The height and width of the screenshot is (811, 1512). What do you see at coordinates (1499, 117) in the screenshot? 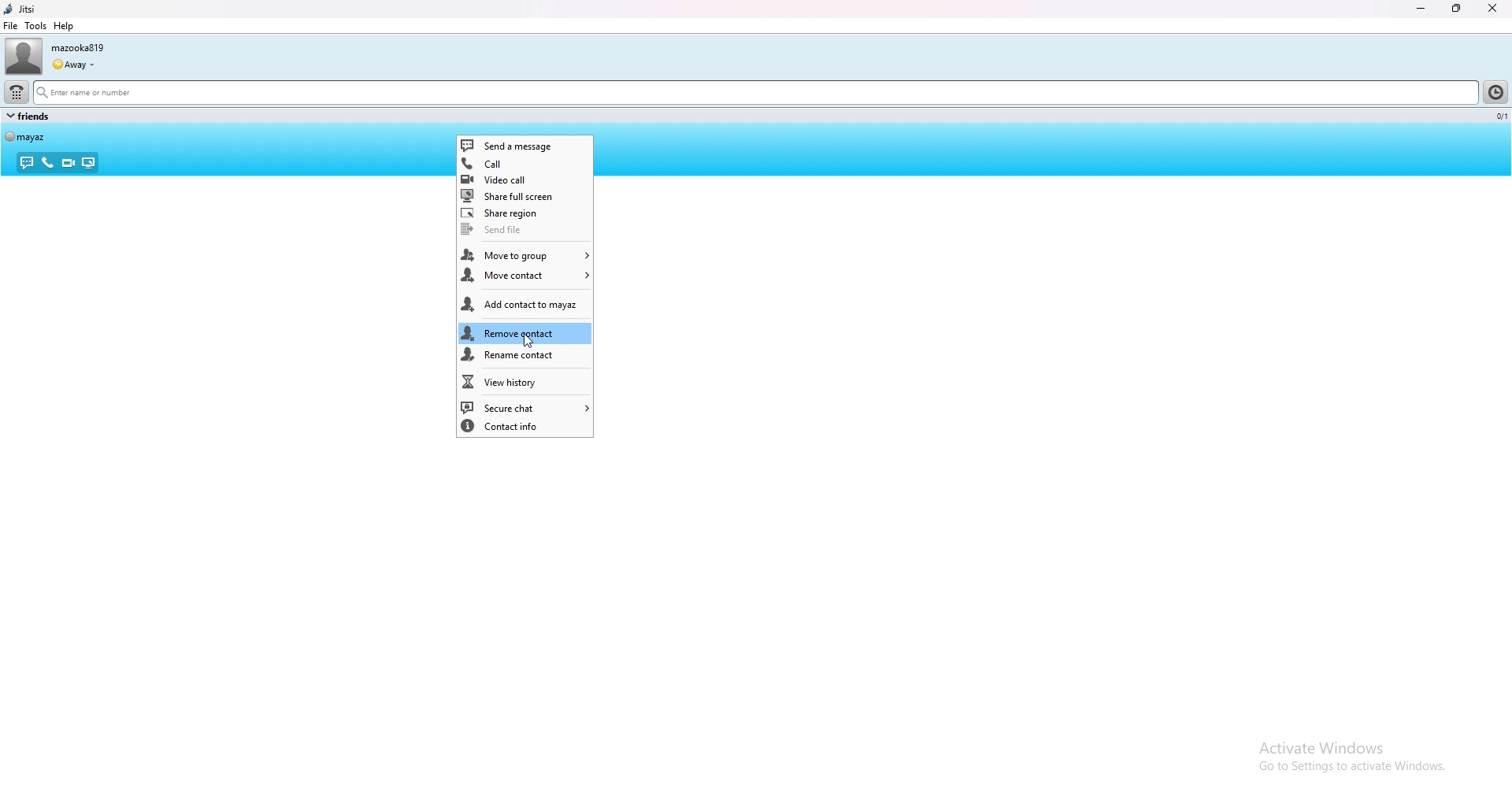
I see `number selected` at bounding box center [1499, 117].